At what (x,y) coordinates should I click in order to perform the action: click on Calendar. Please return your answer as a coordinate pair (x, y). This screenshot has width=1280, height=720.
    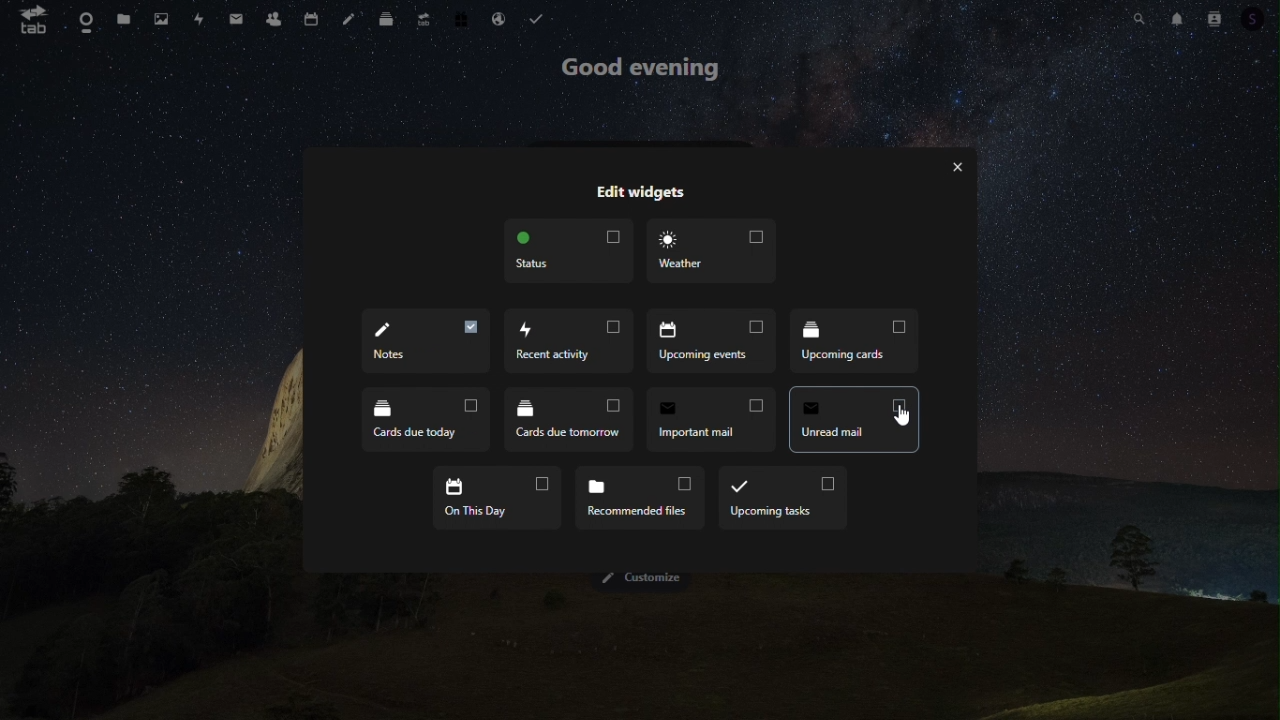
    Looking at the image, I should click on (310, 19).